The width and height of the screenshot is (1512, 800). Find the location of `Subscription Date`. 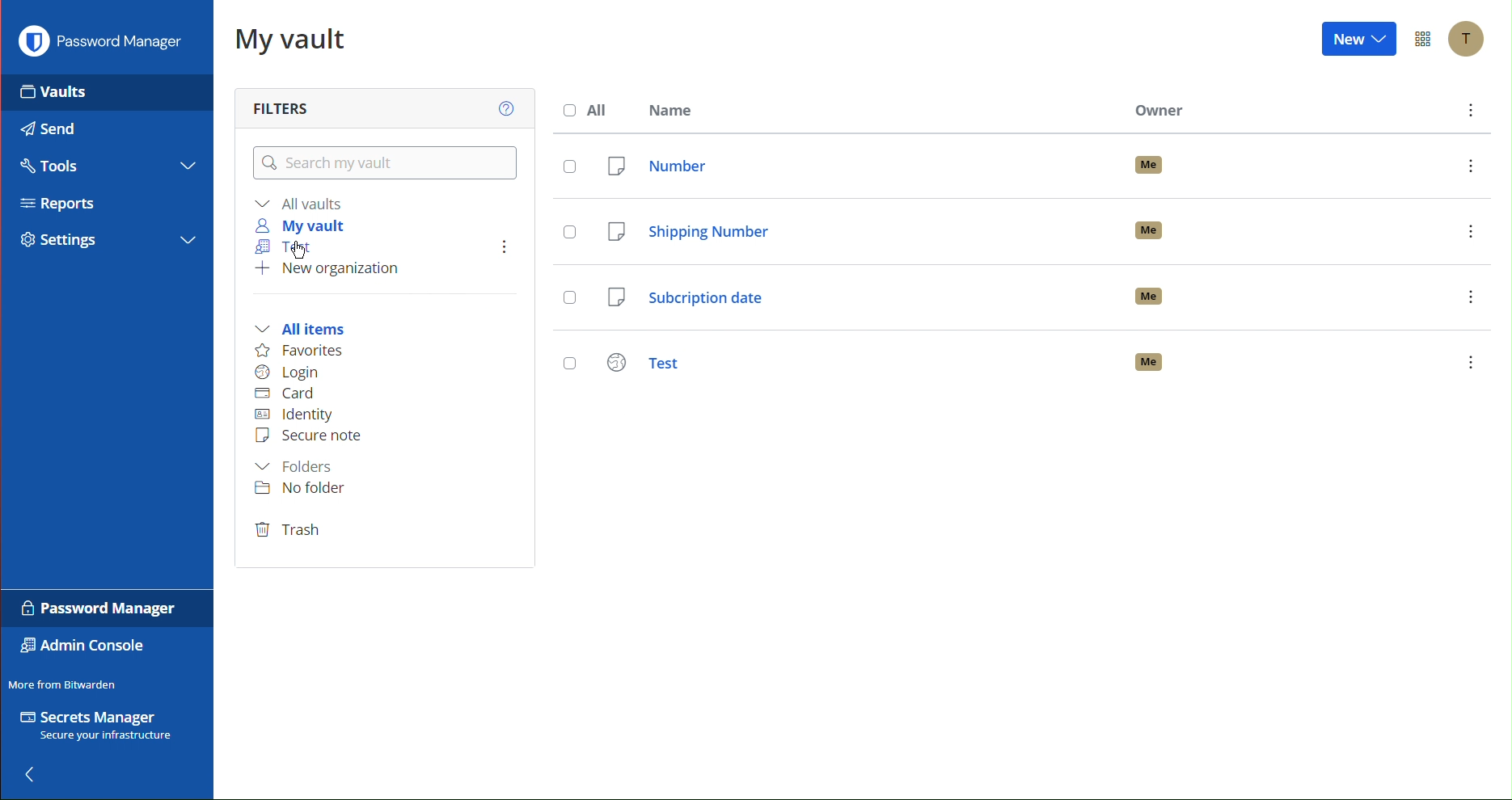

Subscription Date is located at coordinates (1041, 297).